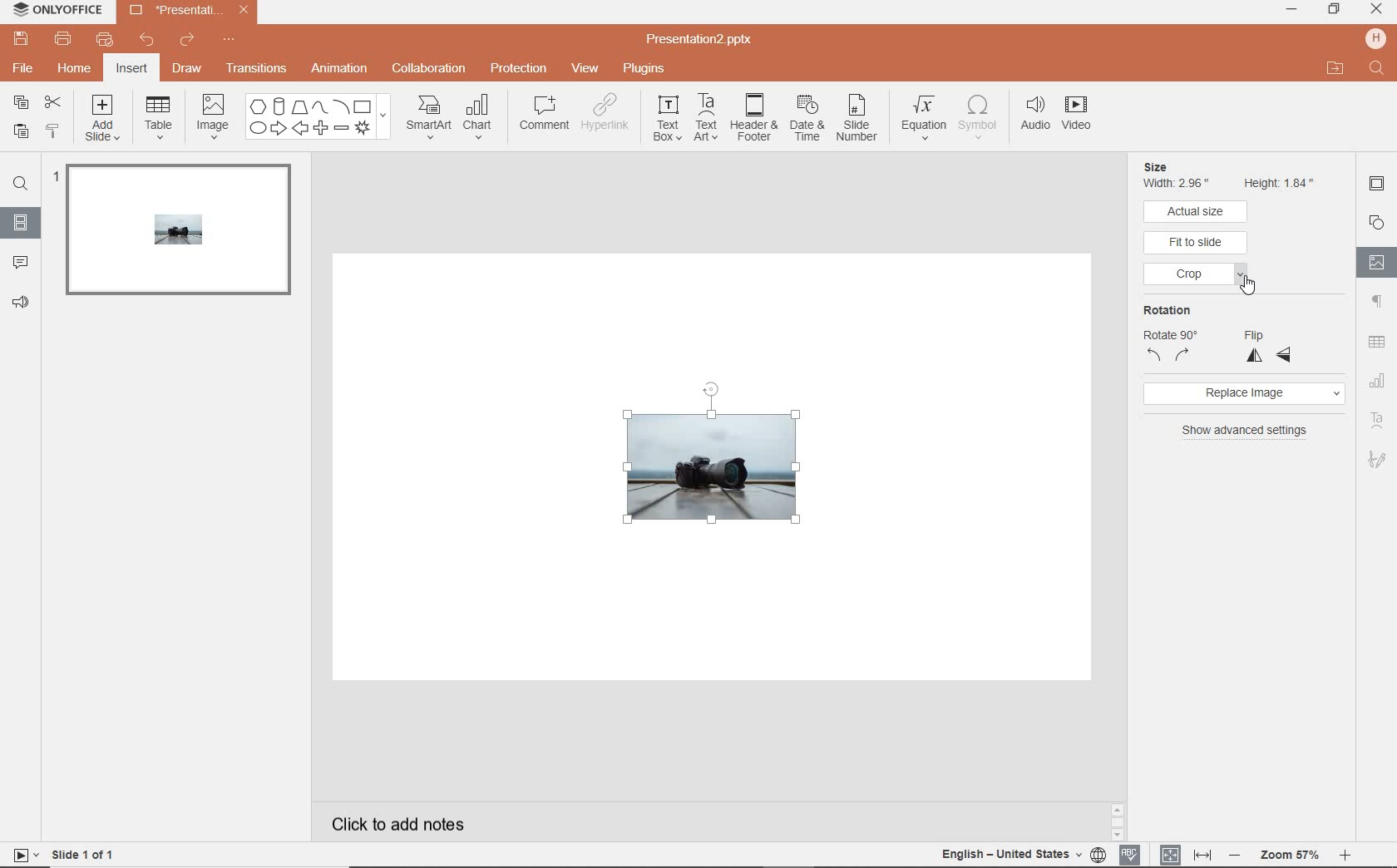 The width and height of the screenshot is (1397, 868). What do you see at coordinates (1246, 431) in the screenshot?
I see `show advanced settings` at bounding box center [1246, 431].